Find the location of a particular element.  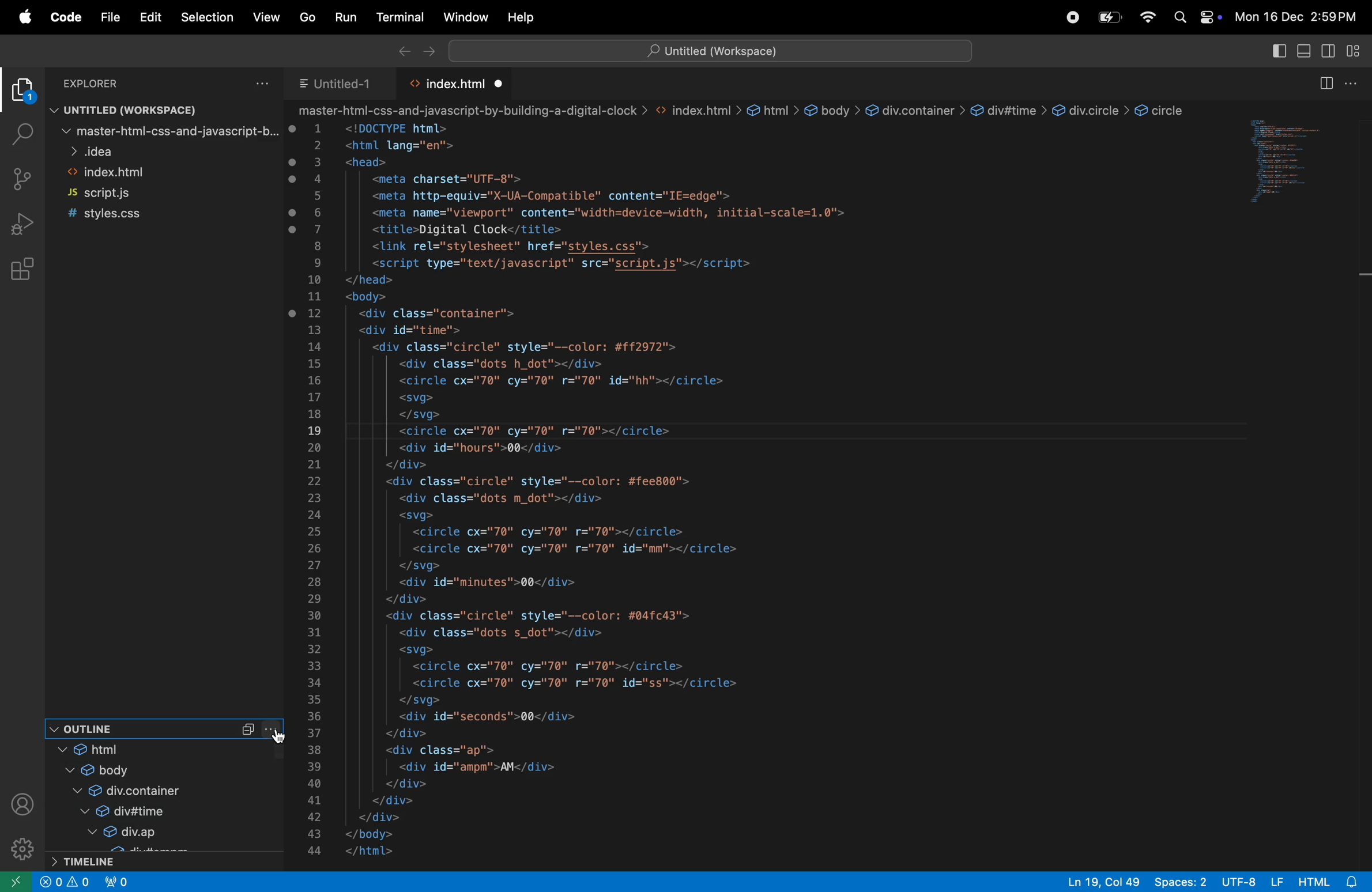

script.js is located at coordinates (129, 193).